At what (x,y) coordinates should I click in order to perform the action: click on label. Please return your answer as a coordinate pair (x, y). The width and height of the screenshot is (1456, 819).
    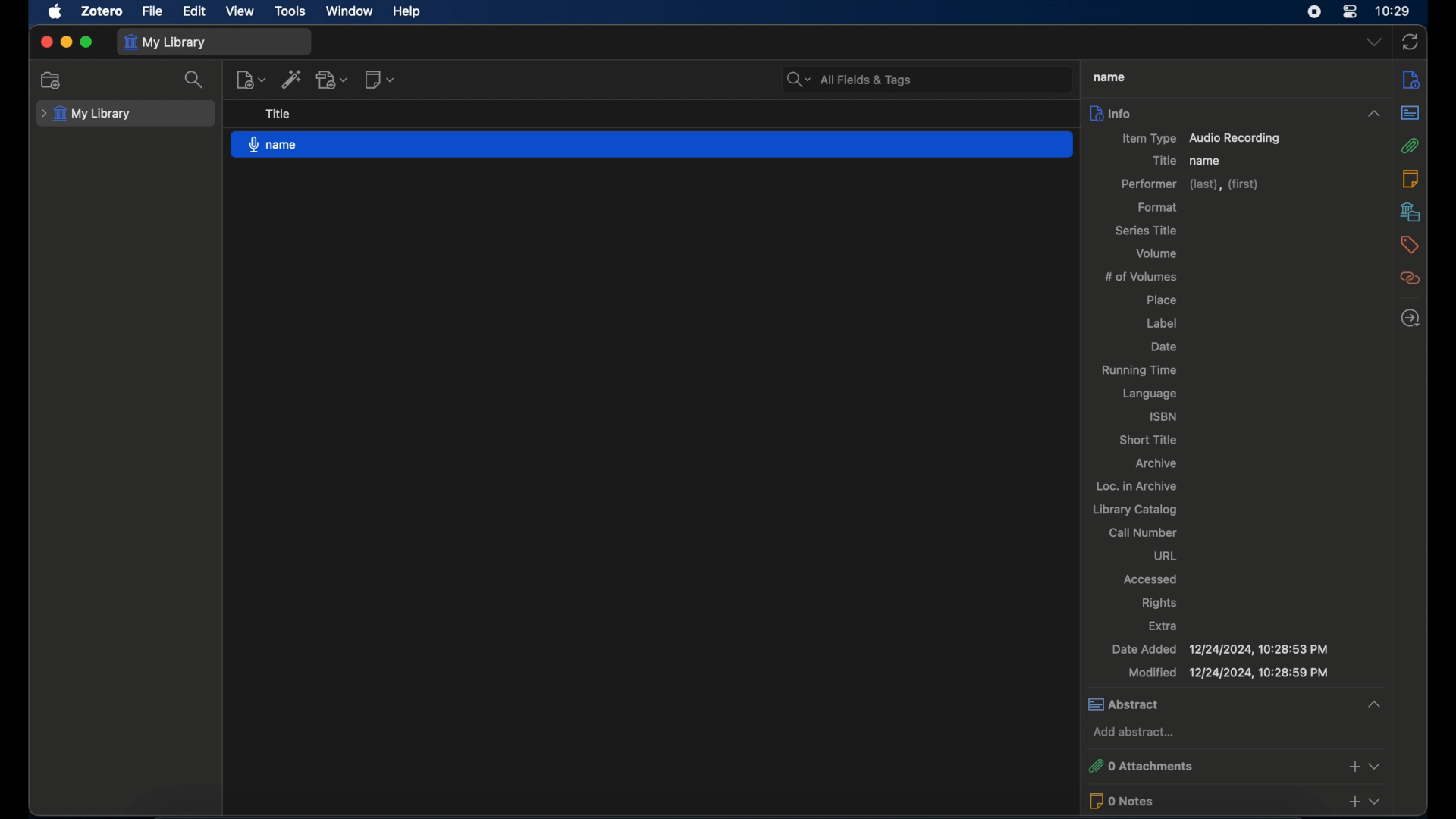
    Looking at the image, I should click on (1164, 323).